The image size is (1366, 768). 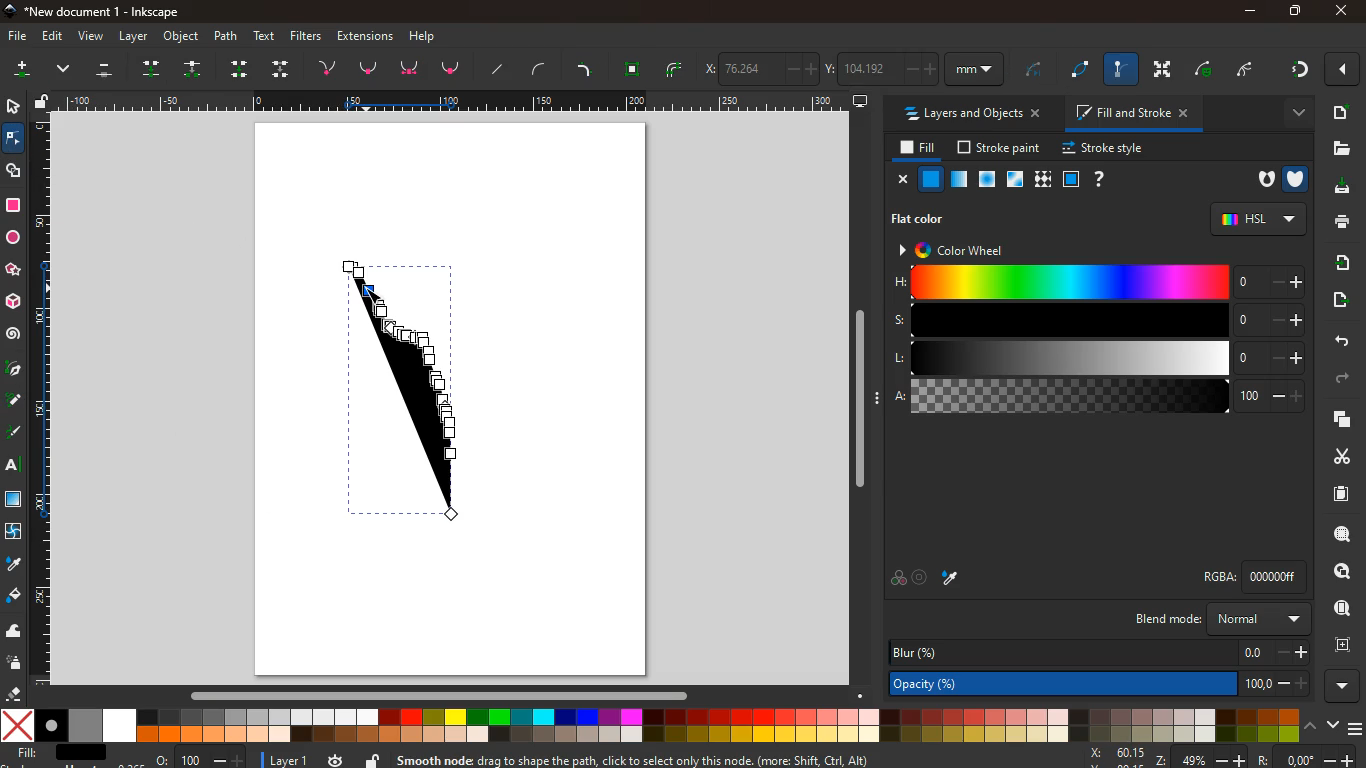 I want to click on normal, so click(x=931, y=179).